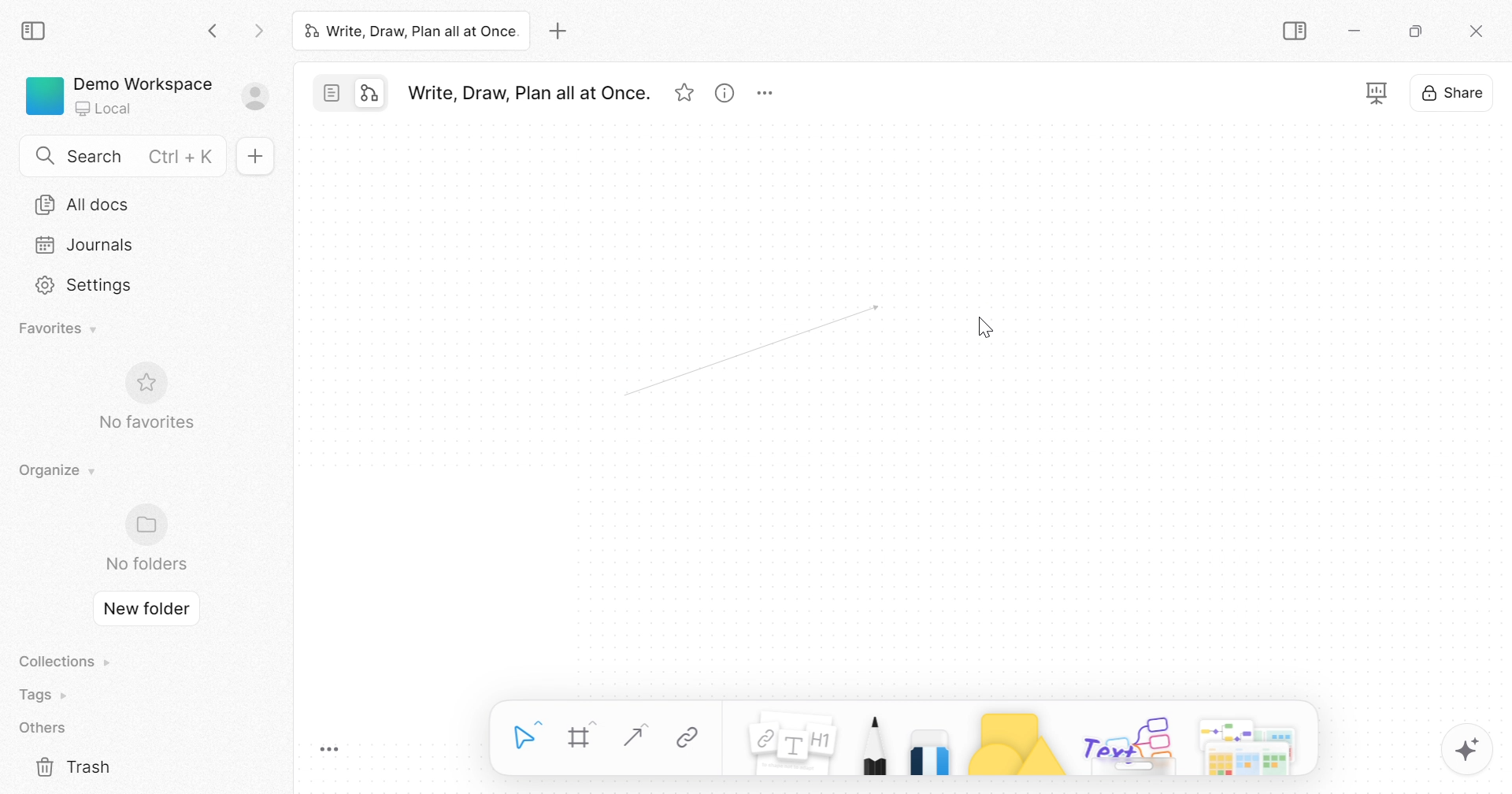 Image resolution: width=1512 pixels, height=794 pixels. Describe the element at coordinates (632, 736) in the screenshot. I see `Straight` at that location.